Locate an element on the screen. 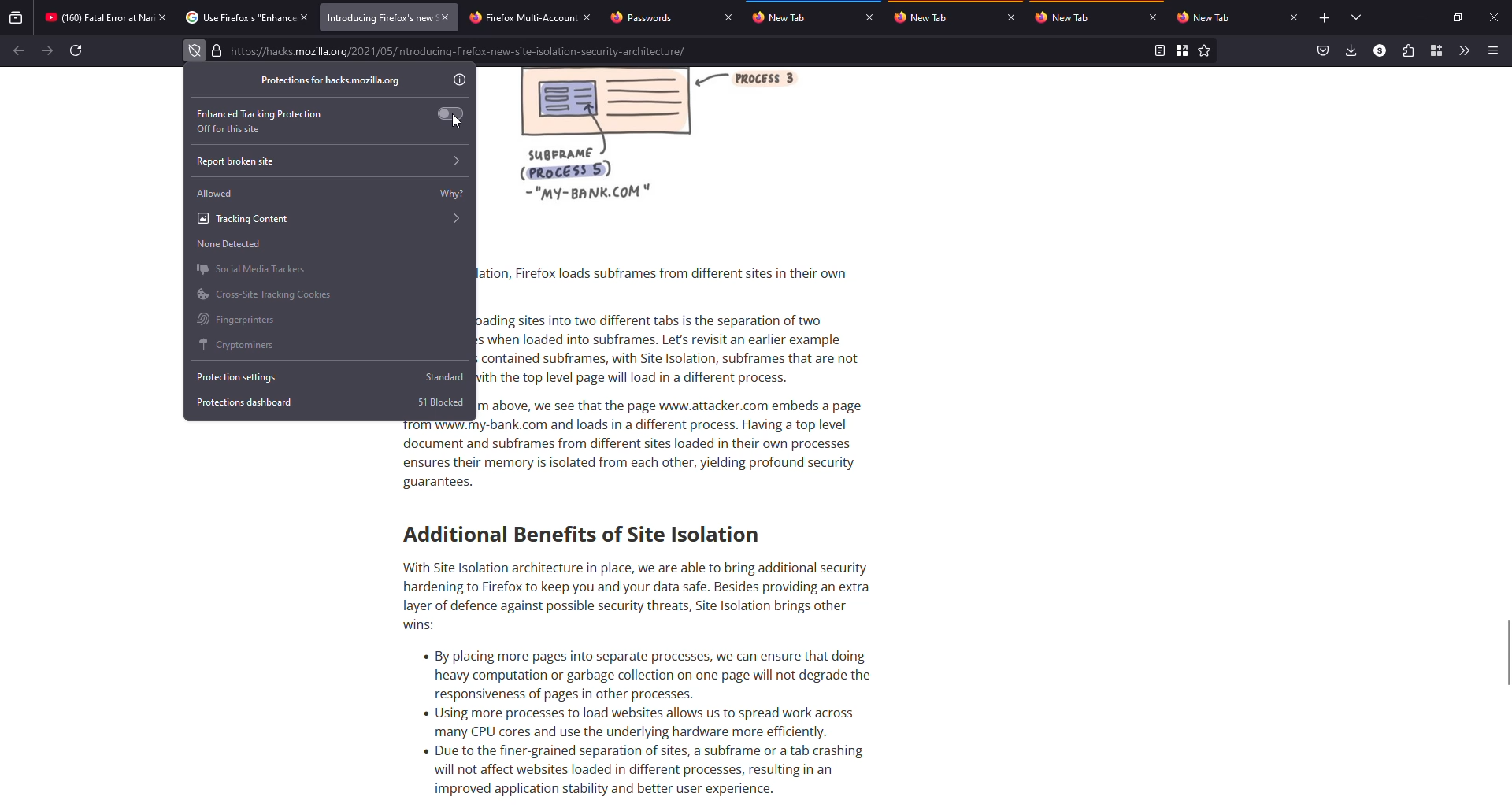 Image resolution: width=1512 pixels, height=811 pixels. reload is located at coordinates (78, 50).